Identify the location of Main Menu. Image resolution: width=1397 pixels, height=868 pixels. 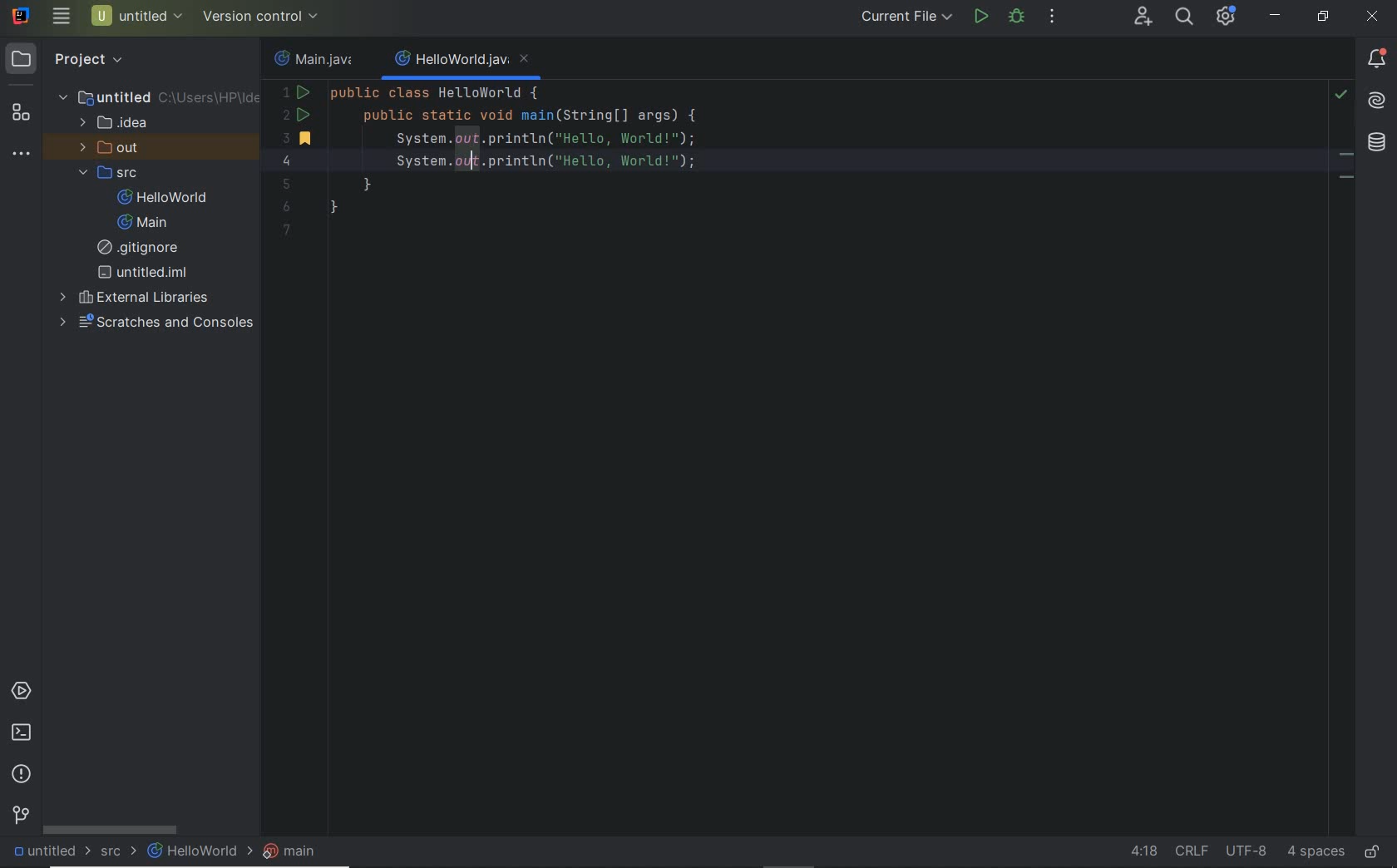
(61, 16).